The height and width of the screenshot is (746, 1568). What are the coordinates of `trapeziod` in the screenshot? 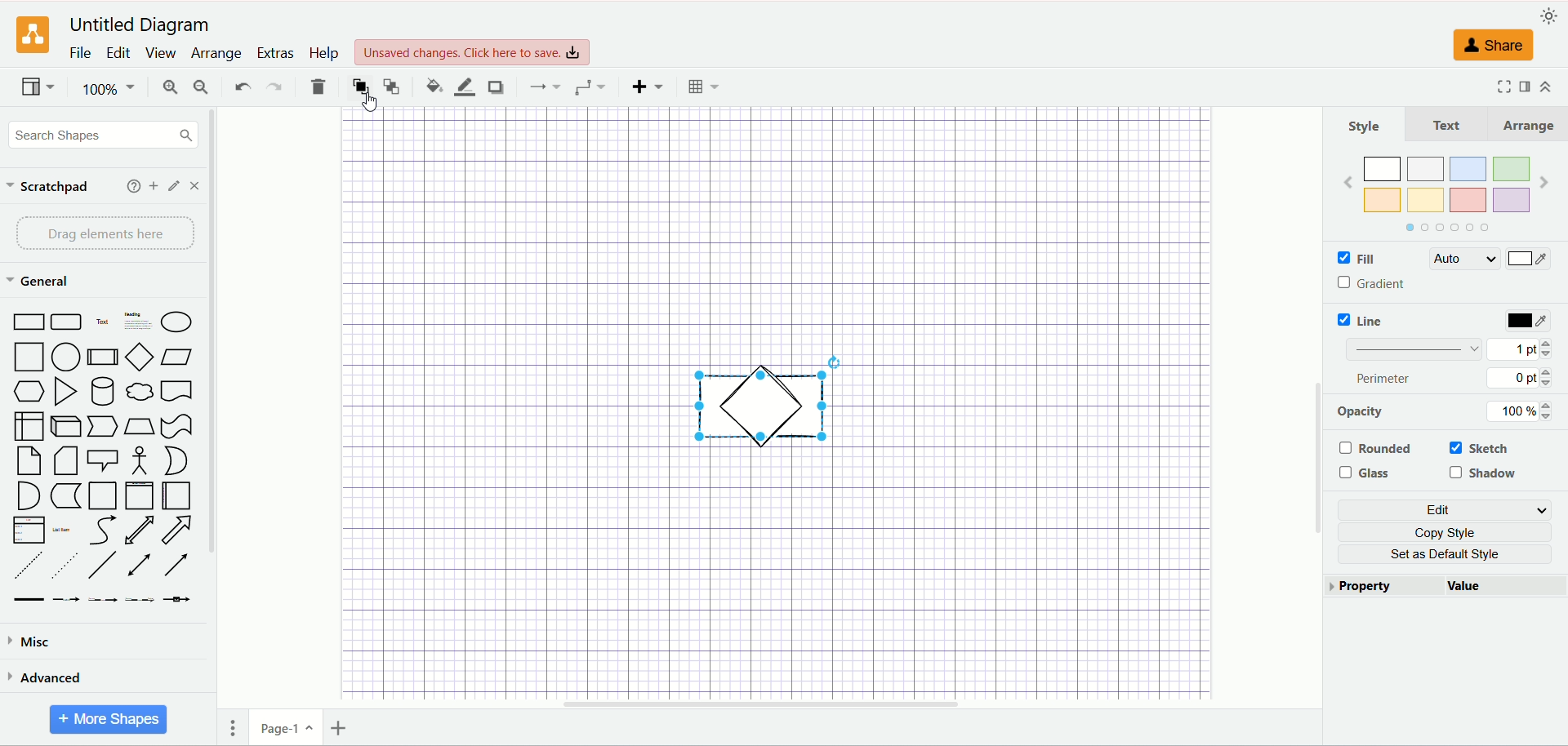 It's located at (139, 426).